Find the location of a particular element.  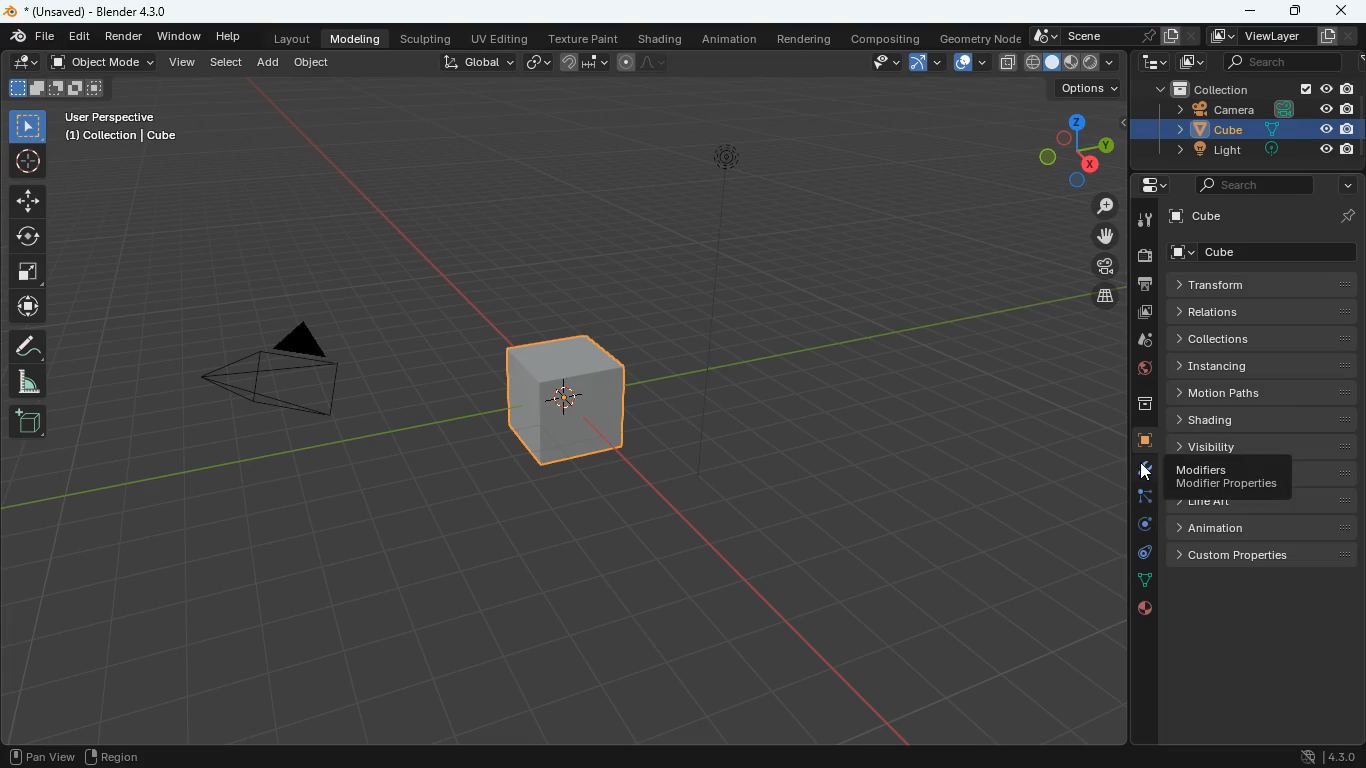

 is located at coordinates (1286, 108).